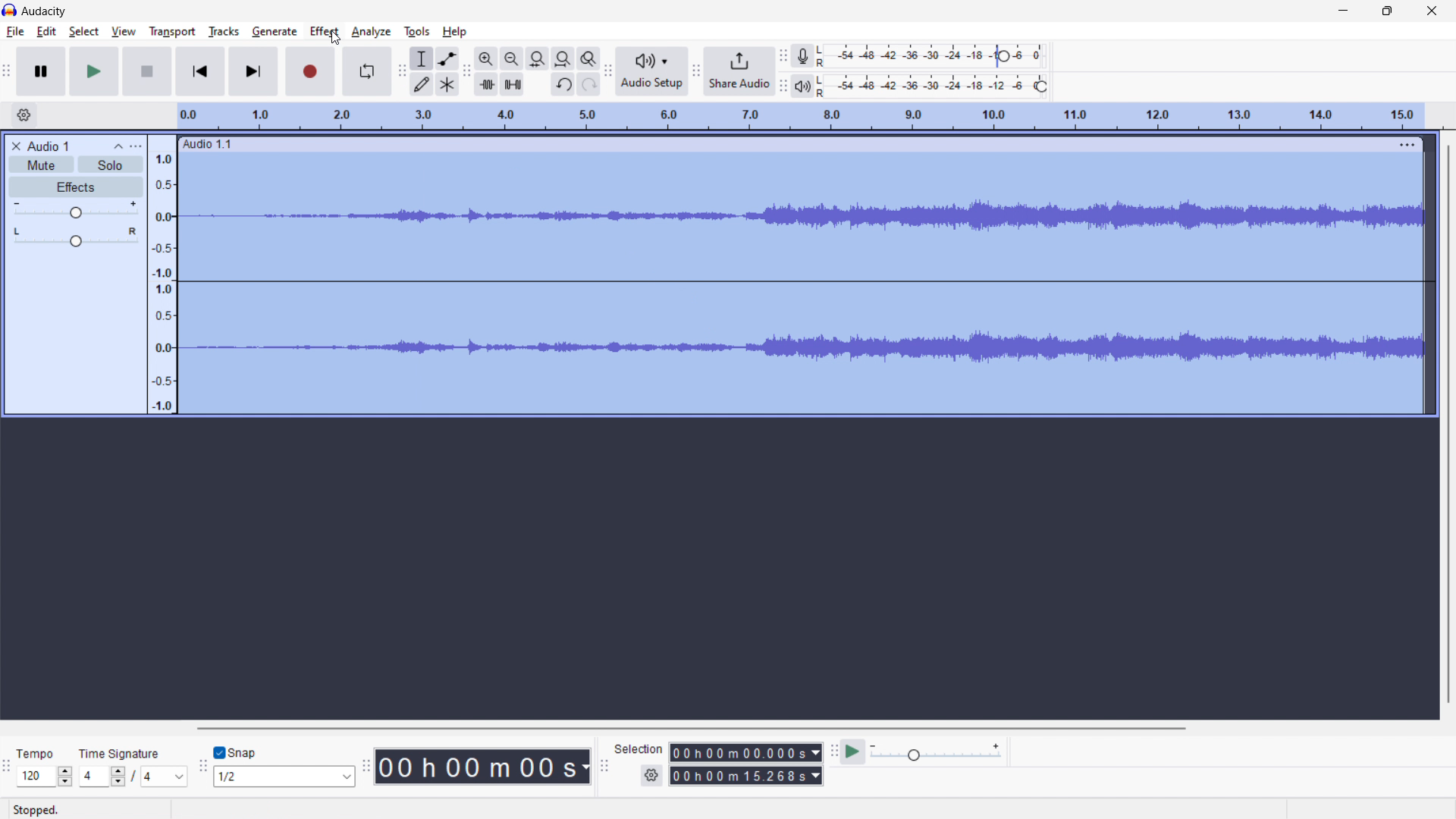 The height and width of the screenshot is (819, 1456). Describe the element at coordinates (147, 71) in the screenshot. I see `stop` at that location.